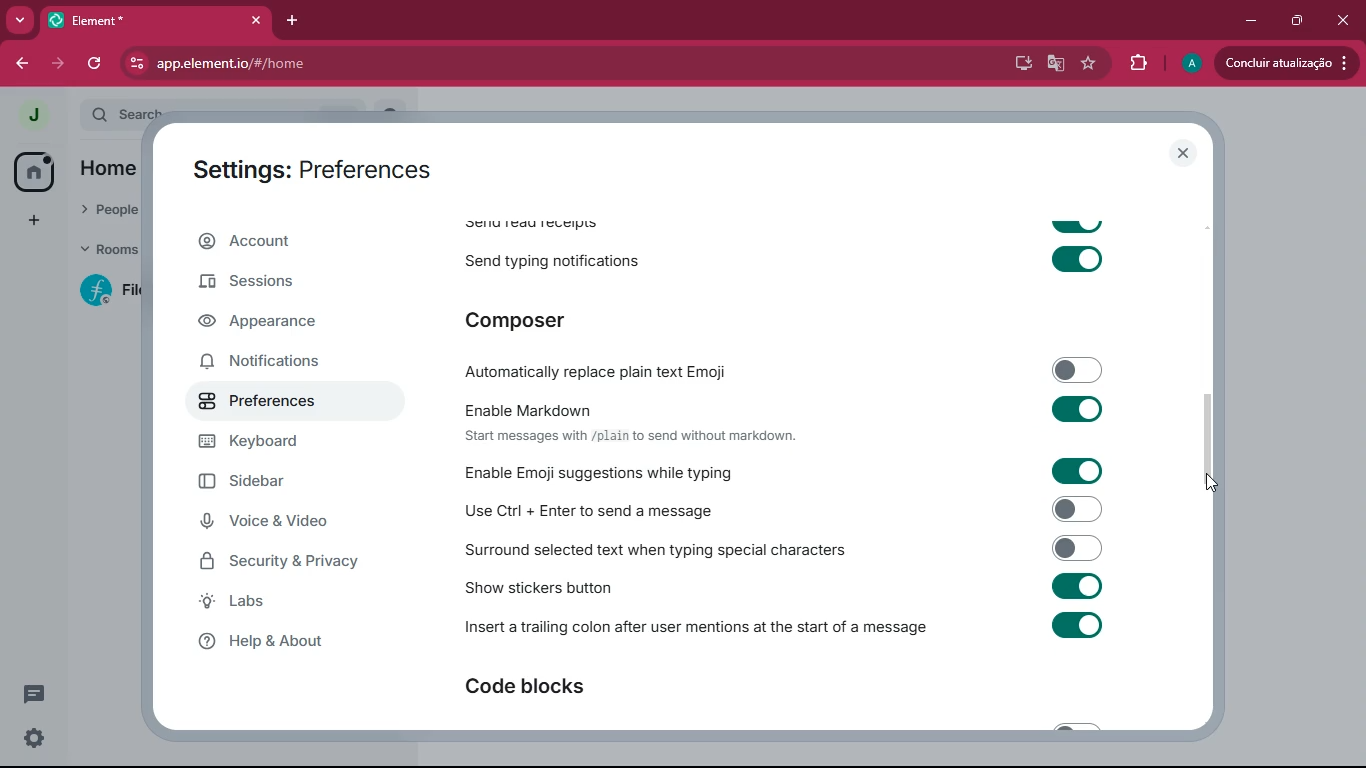 The width and height of the screenshot is (1366, 768). I want to click on preferences, so click(274, 405).